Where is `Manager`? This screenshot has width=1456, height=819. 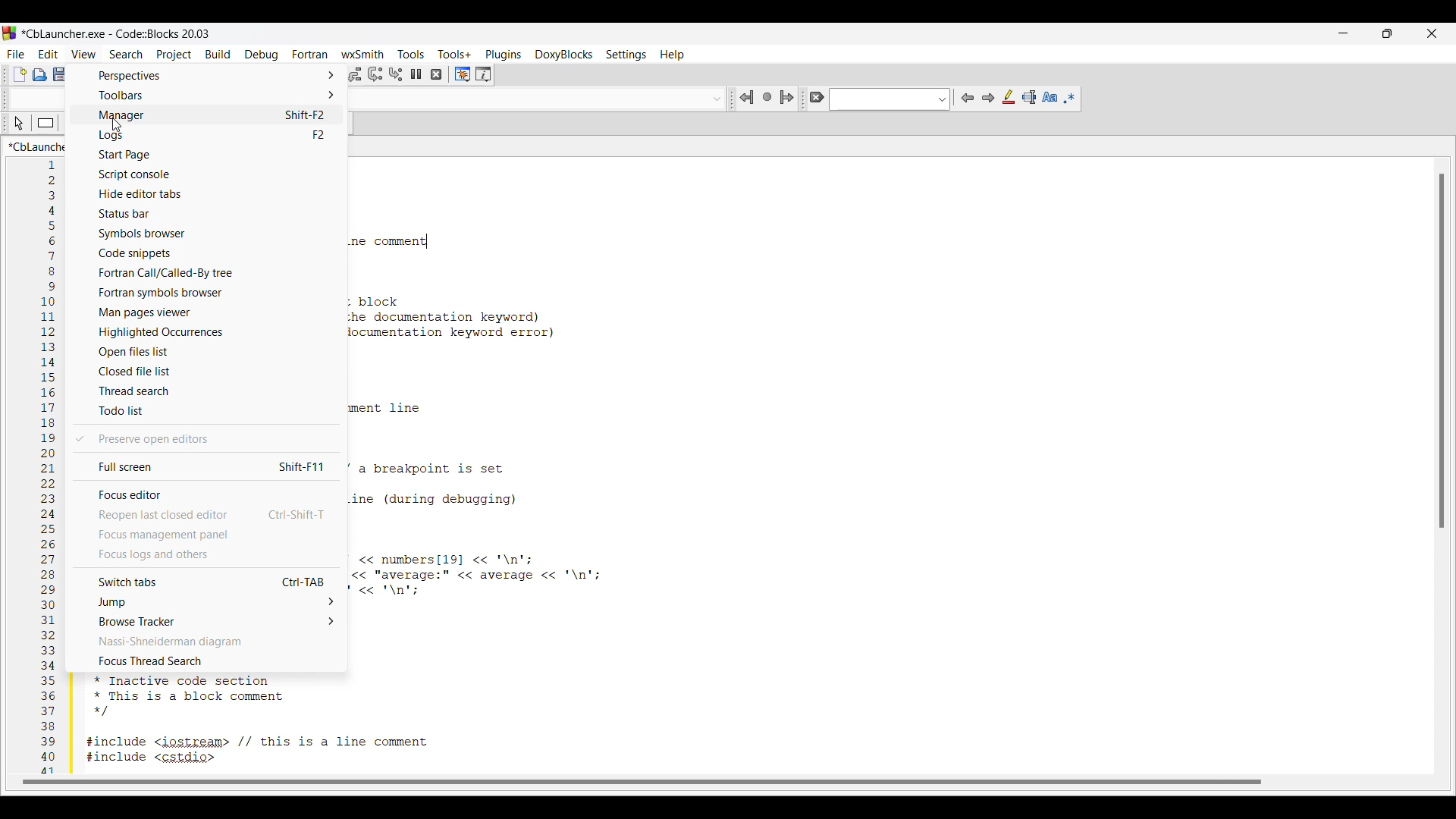 Manager is located at coordinates (206, 115).